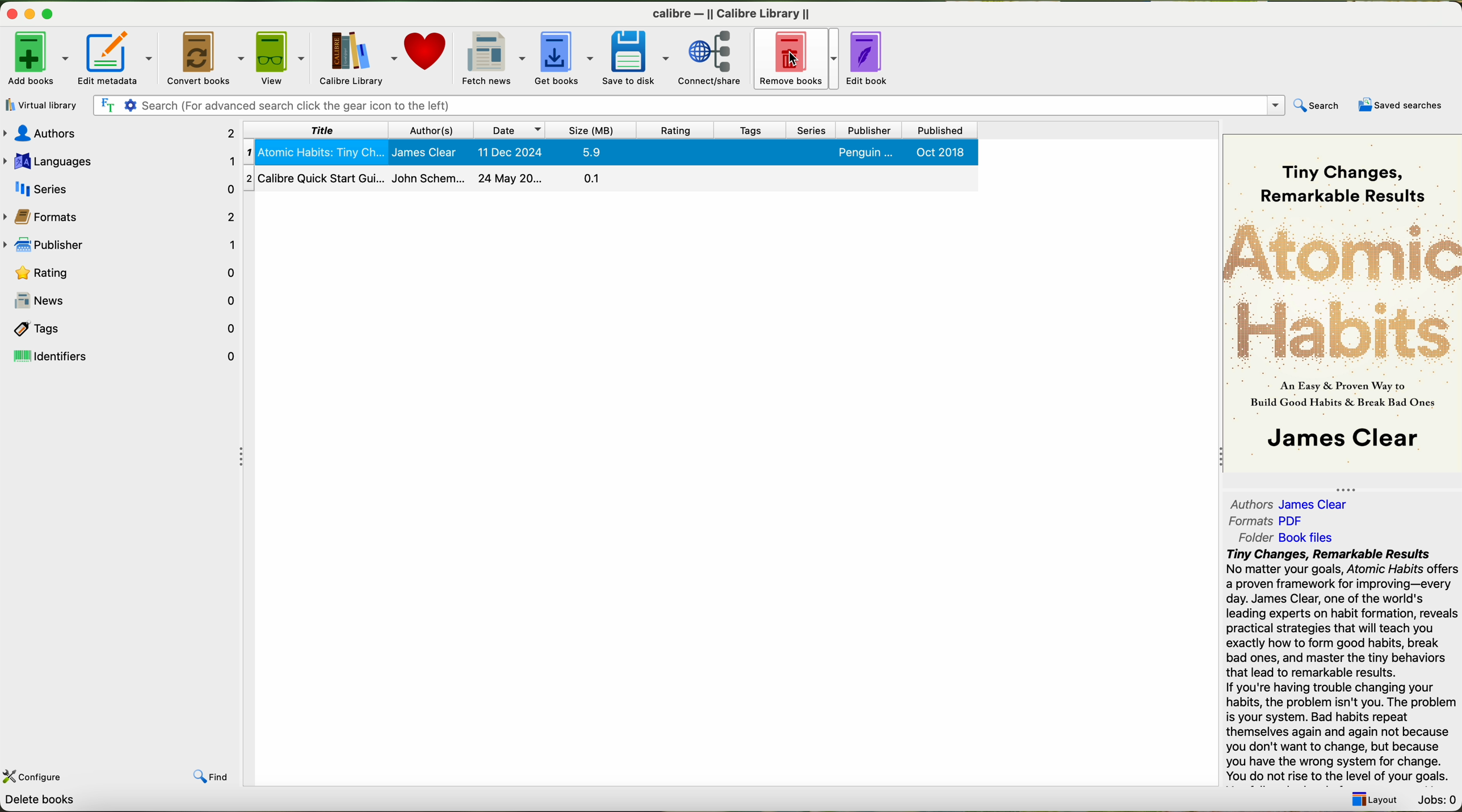 The width and height of the screenshot is (1462, 812). What do you see at coordinates (592, 129) in the screenshot?
I see `size` at bounding box center [592, 129].